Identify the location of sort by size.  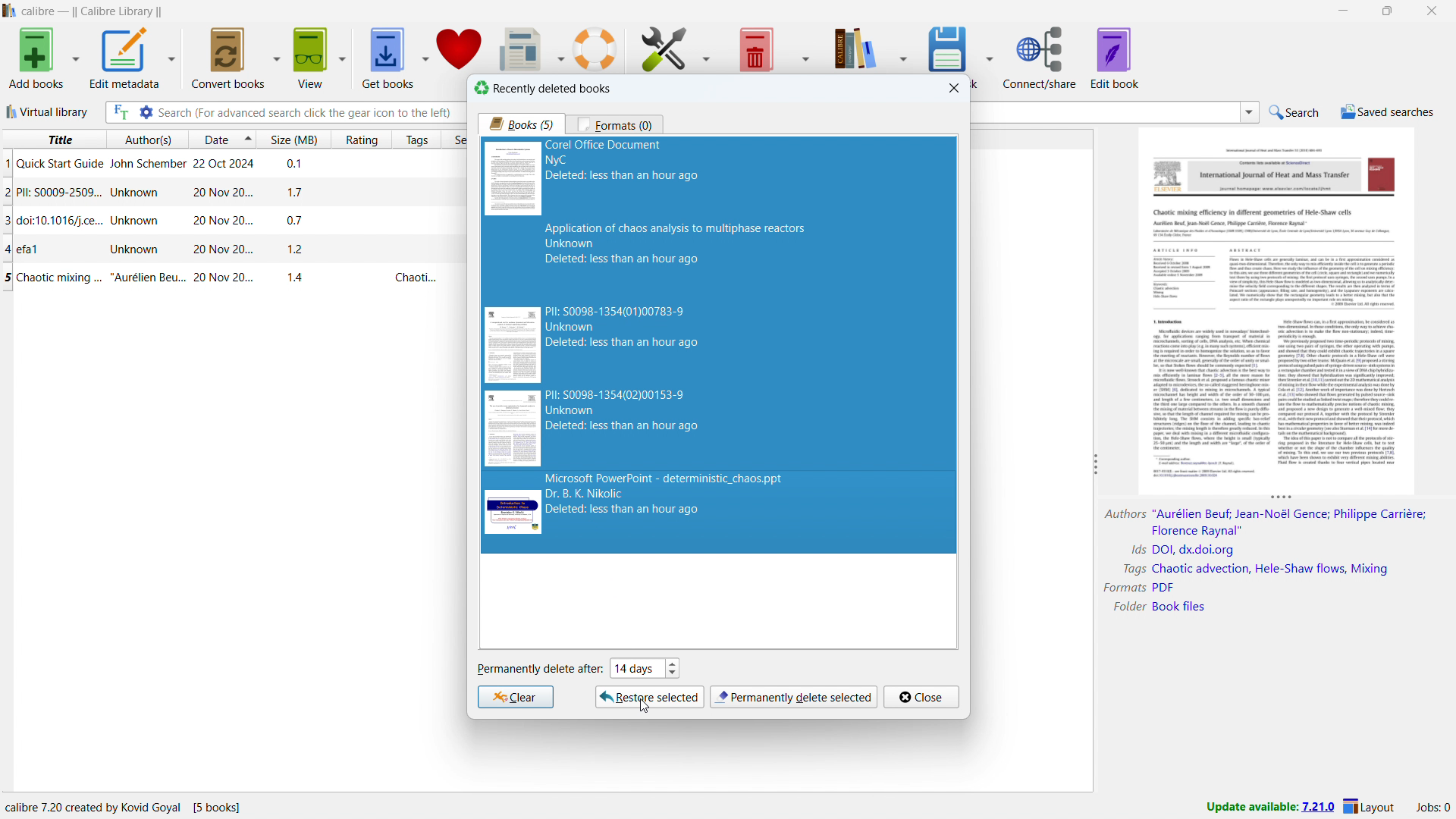
(293, 138).